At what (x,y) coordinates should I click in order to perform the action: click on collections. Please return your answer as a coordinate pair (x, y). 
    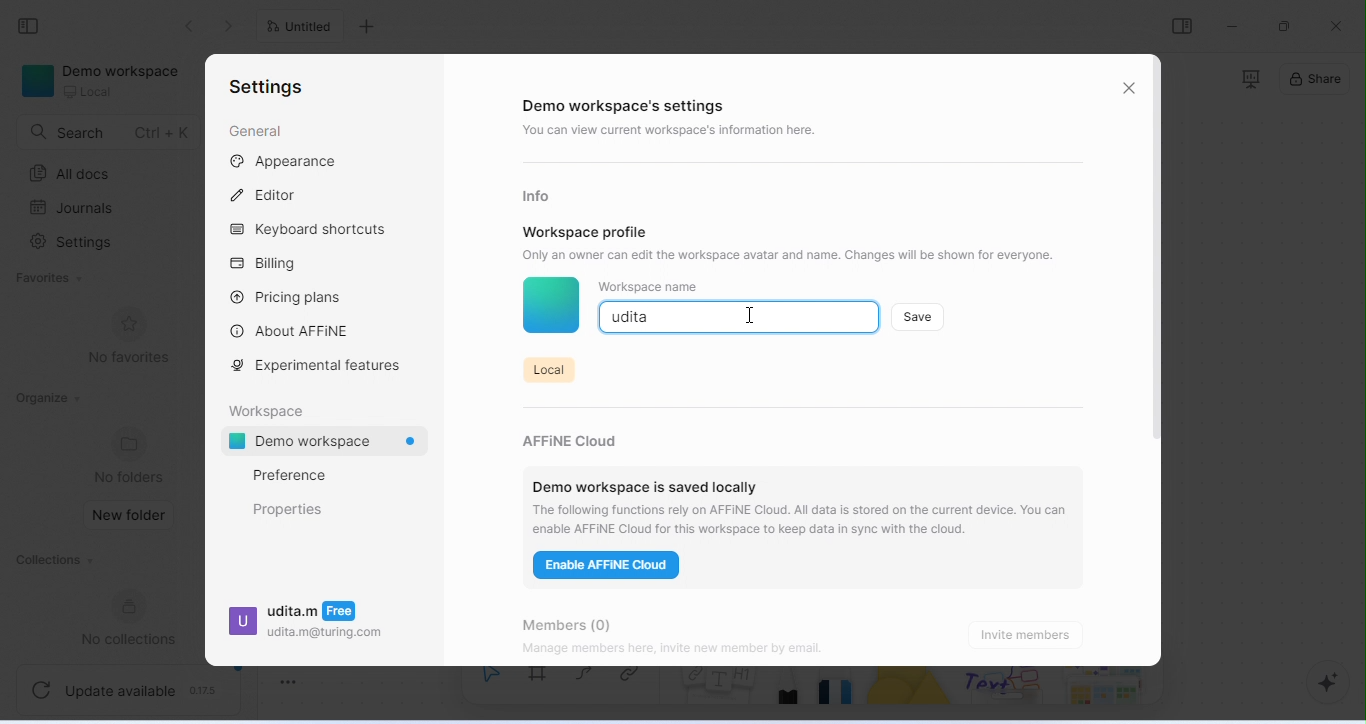
    Looking at the image, I should click on (53, 562).